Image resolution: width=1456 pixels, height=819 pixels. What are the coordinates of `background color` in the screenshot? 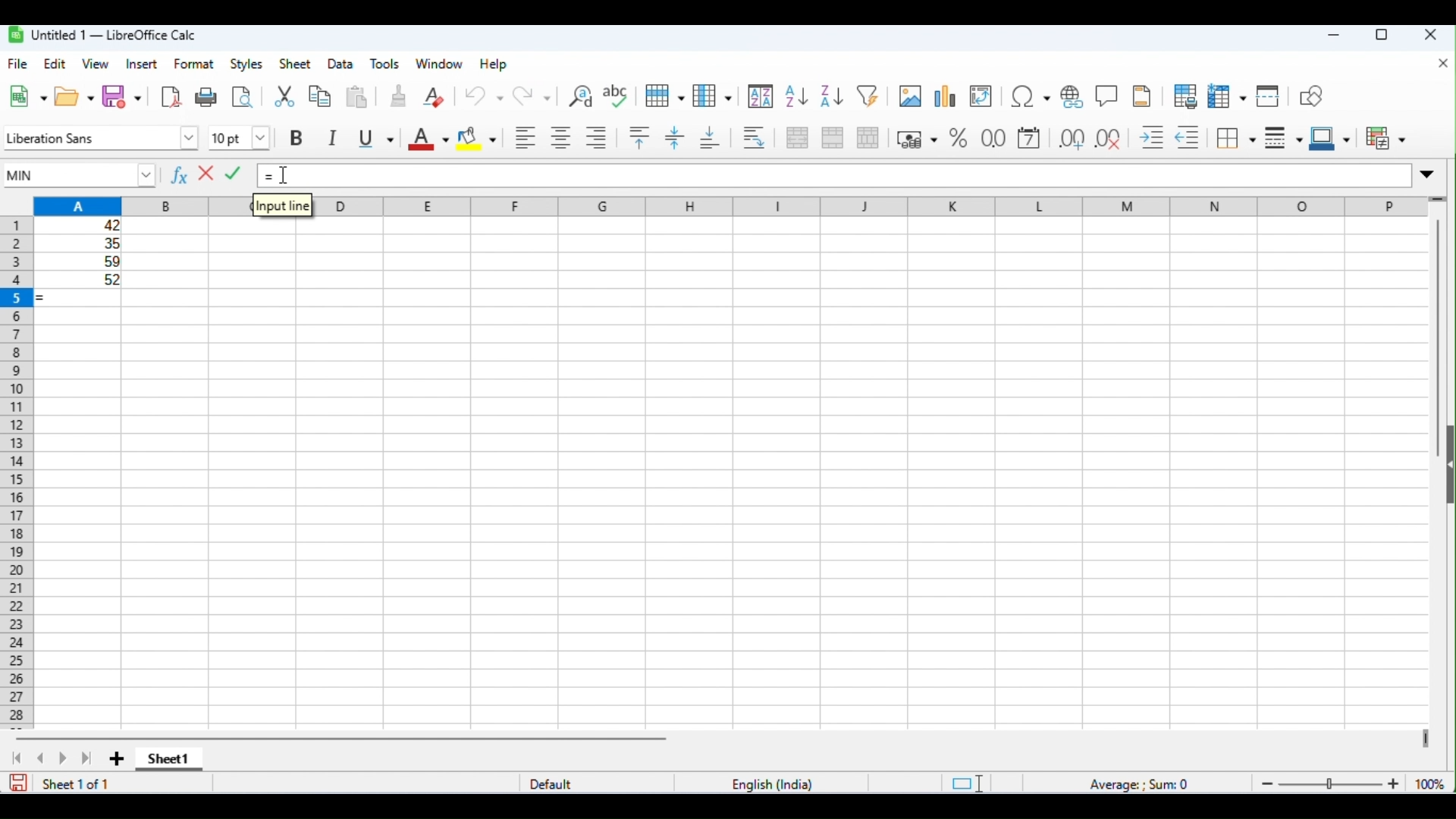 It's located at (477, 138).